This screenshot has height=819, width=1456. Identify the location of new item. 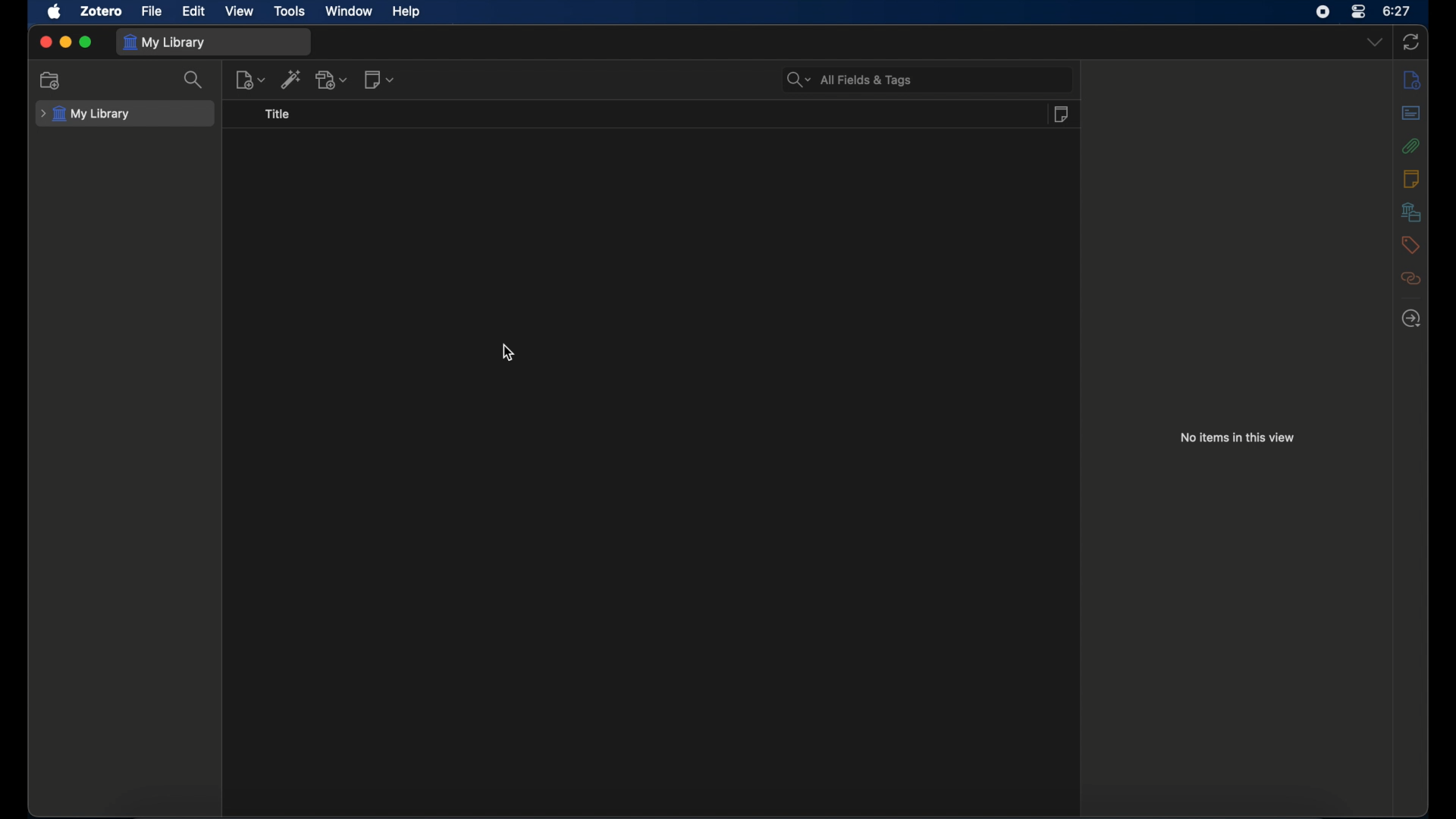
(250, 80).